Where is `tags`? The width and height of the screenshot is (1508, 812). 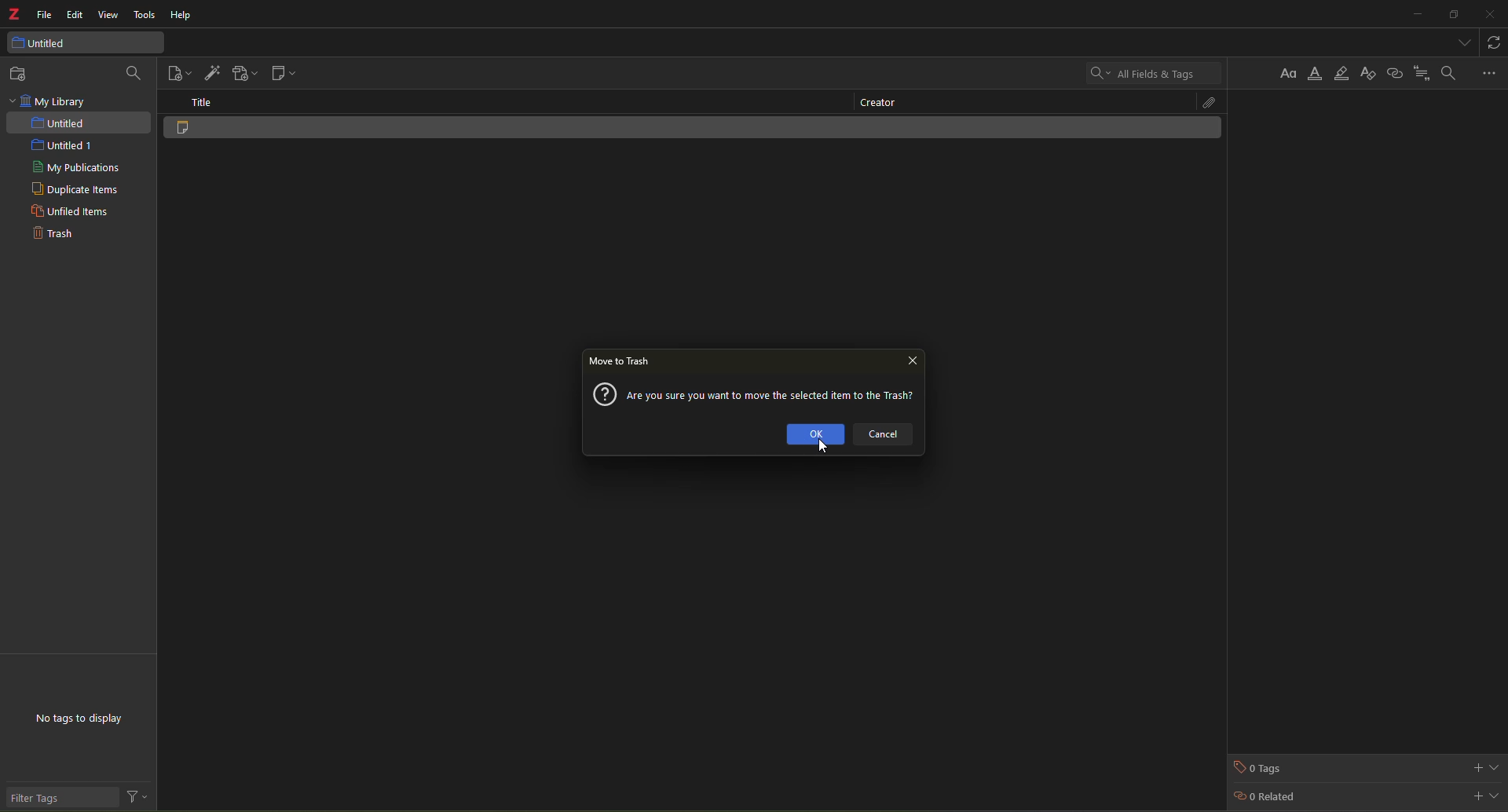 tags is located at coordinates (1262, 767).